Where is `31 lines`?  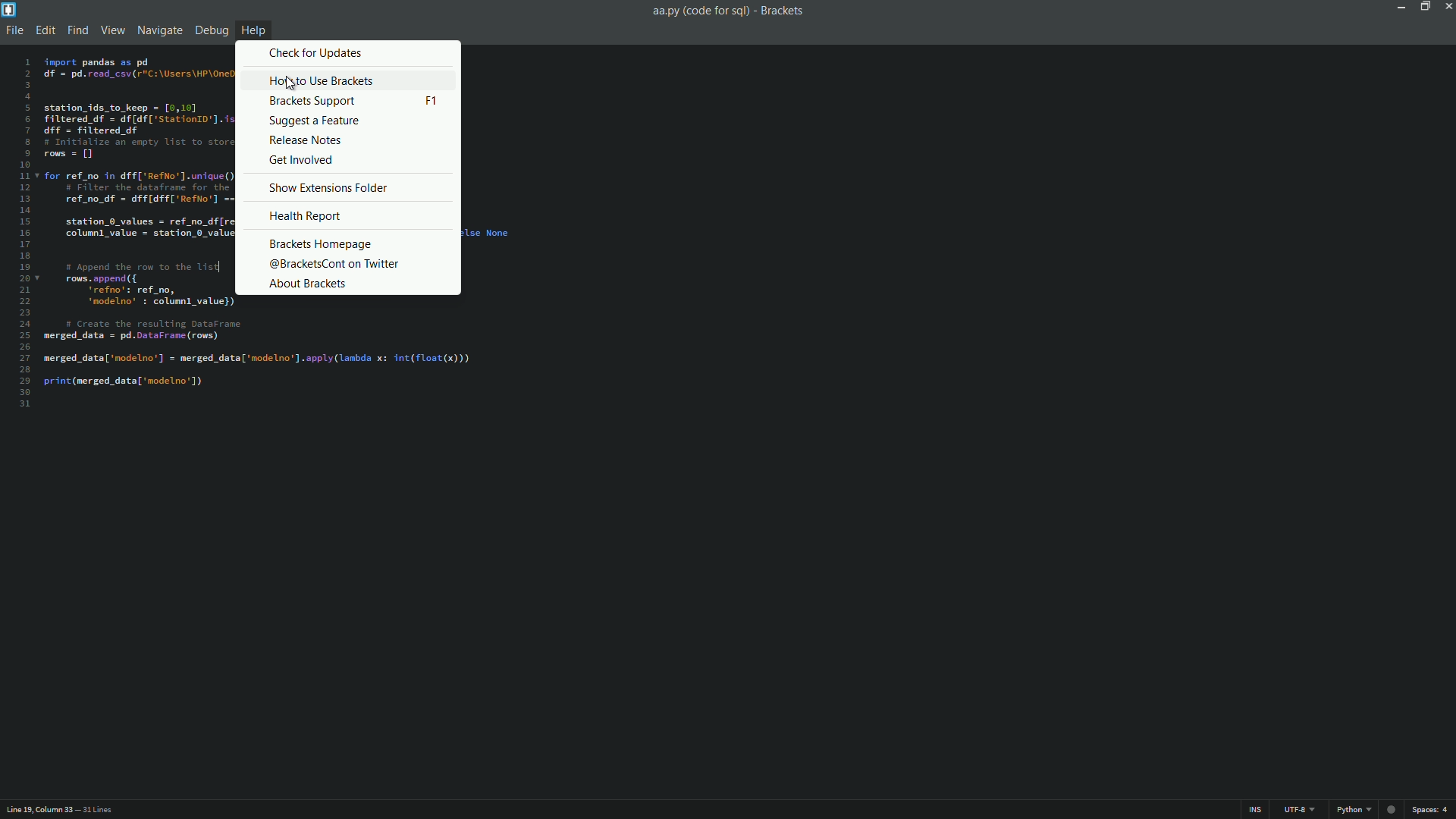
31 lines is located at coordinates (102, 807).